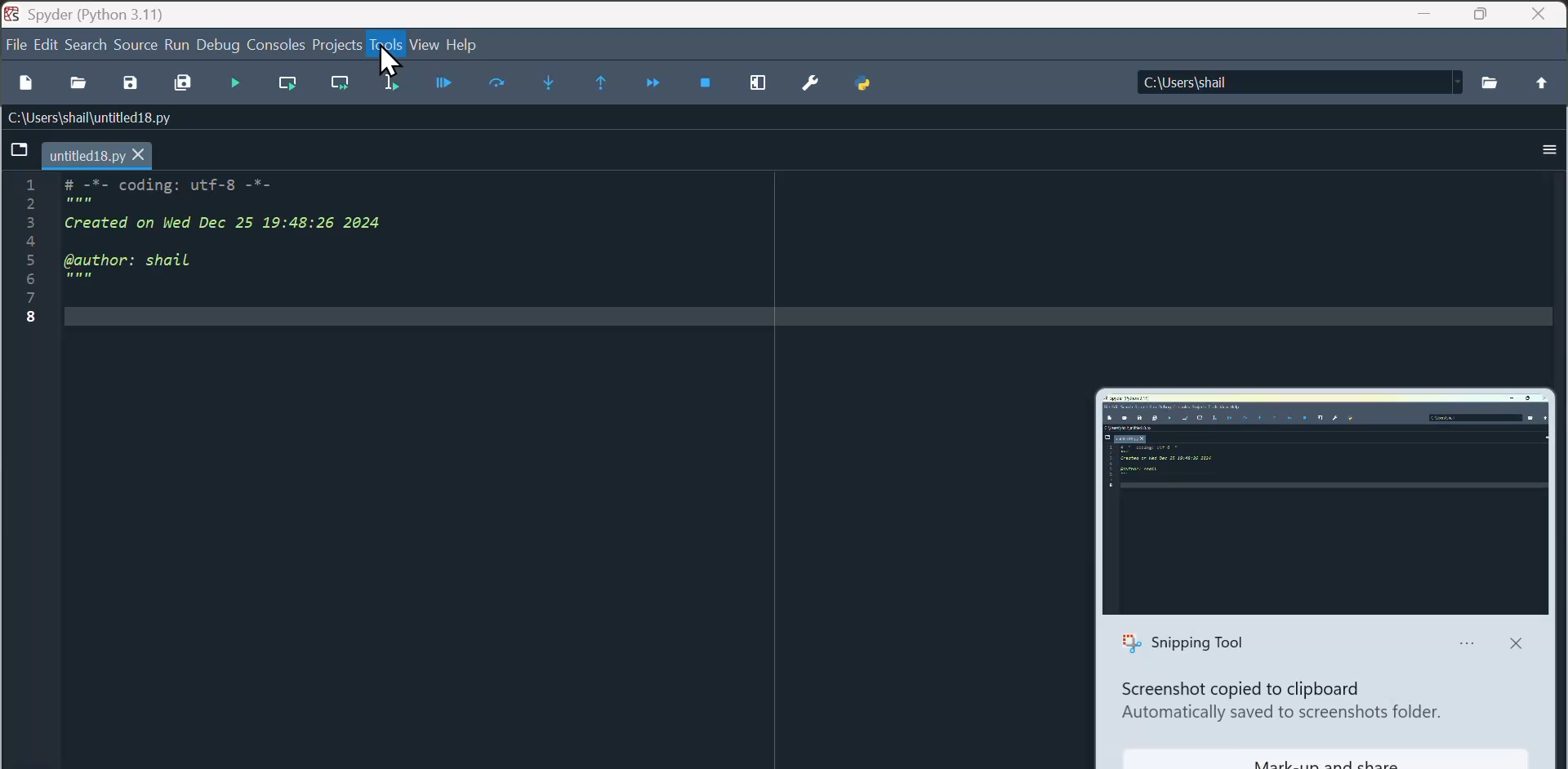 This screenshot has width=1568, height=769. I want to click on spider (python 3.11), so click(82, 12).